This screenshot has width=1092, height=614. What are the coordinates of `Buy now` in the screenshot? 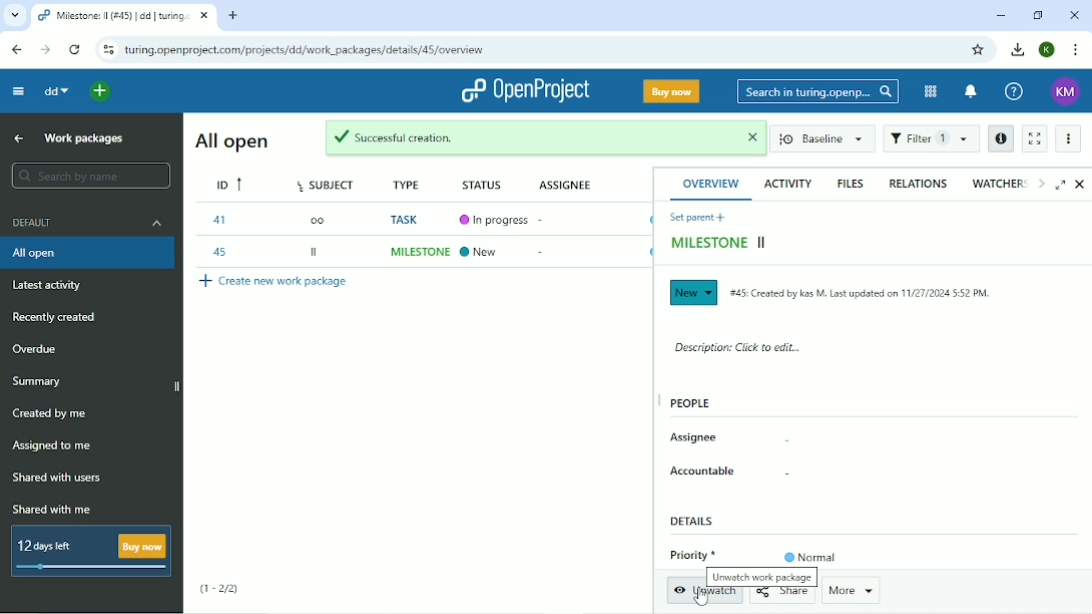 It's located at (671, 91).